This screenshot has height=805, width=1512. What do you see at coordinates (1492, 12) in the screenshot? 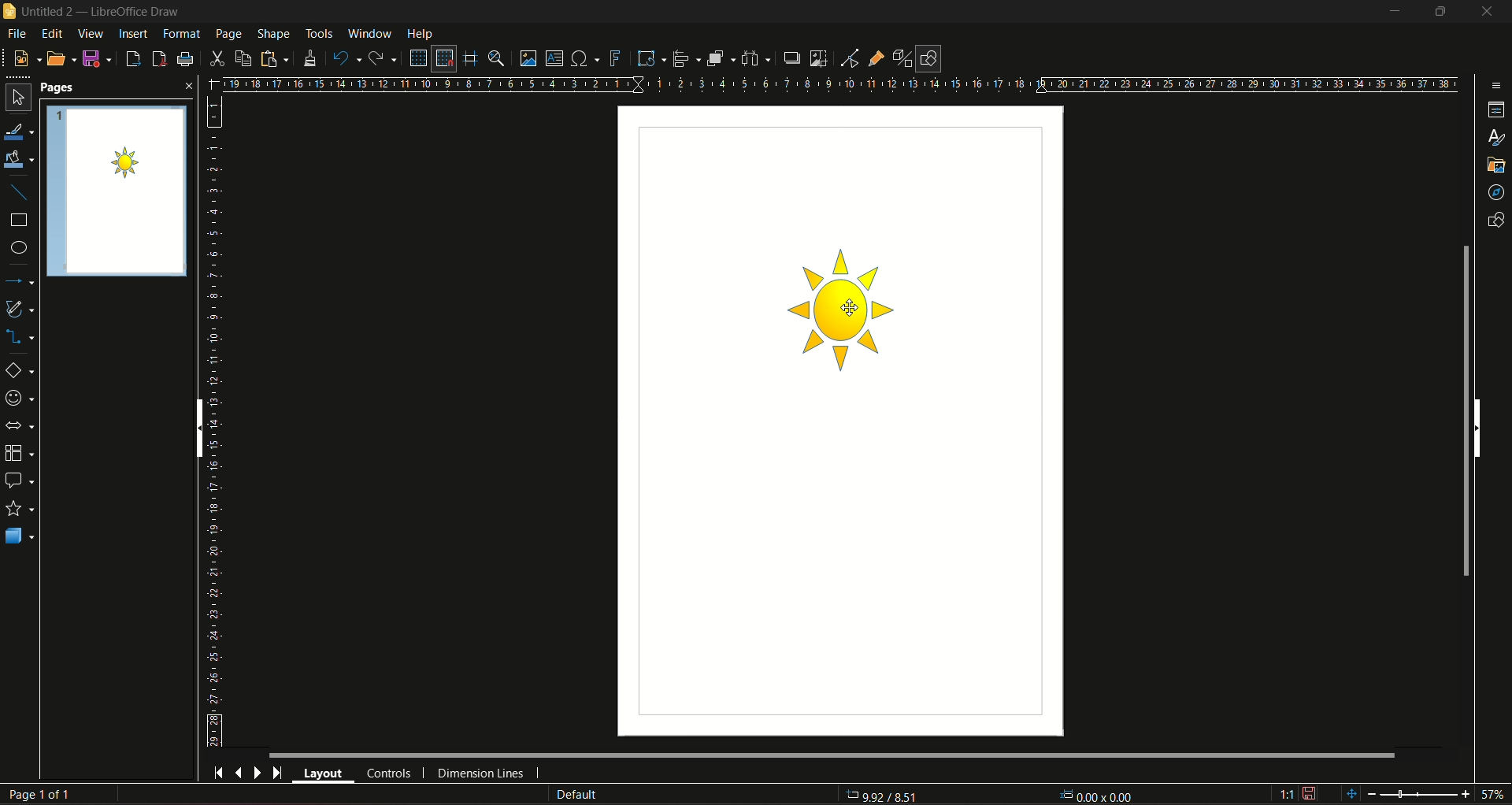
I see `close` at bounding box center [1492, 12].